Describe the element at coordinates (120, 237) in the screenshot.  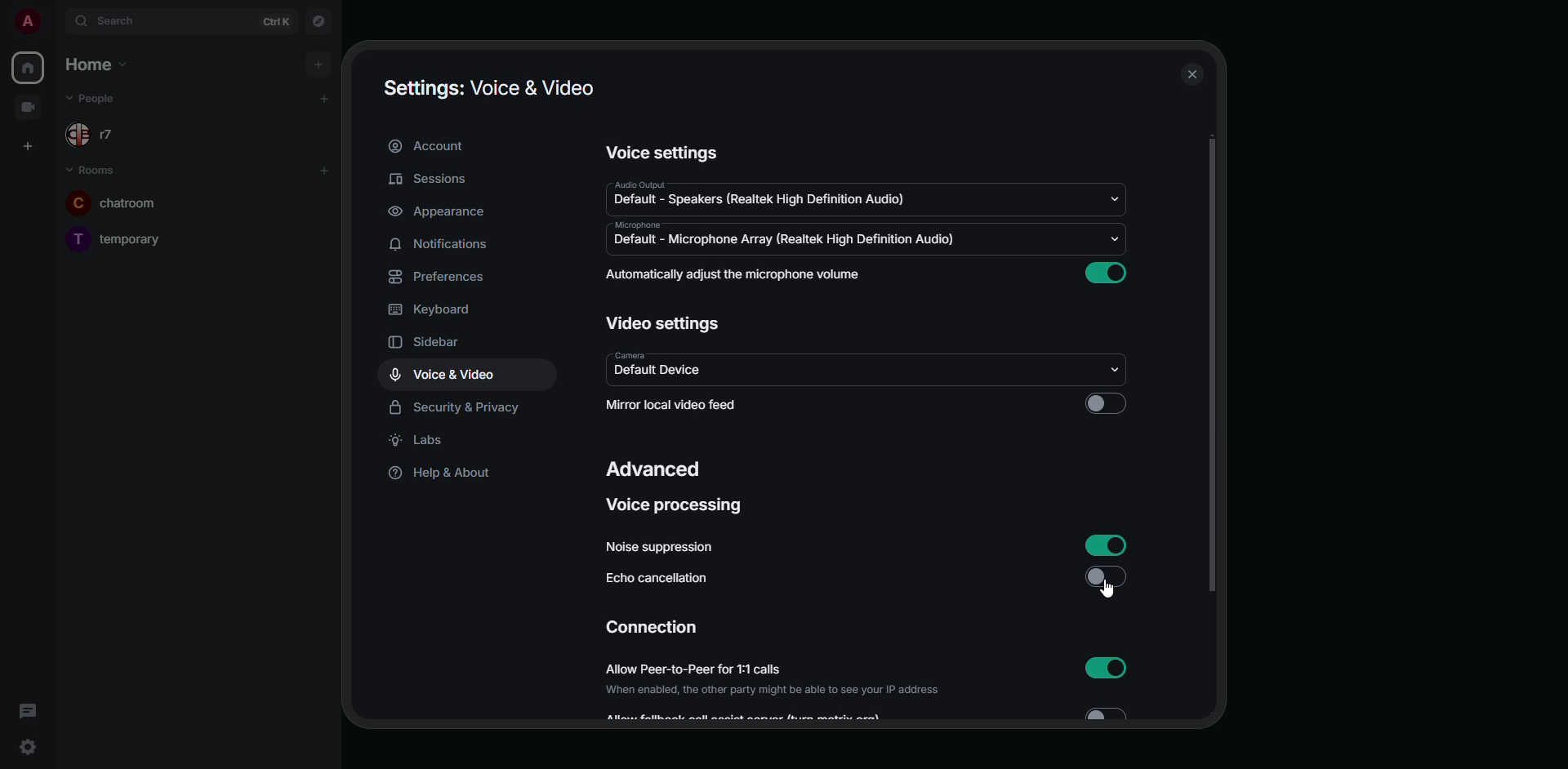
I see `temporary` at that location.